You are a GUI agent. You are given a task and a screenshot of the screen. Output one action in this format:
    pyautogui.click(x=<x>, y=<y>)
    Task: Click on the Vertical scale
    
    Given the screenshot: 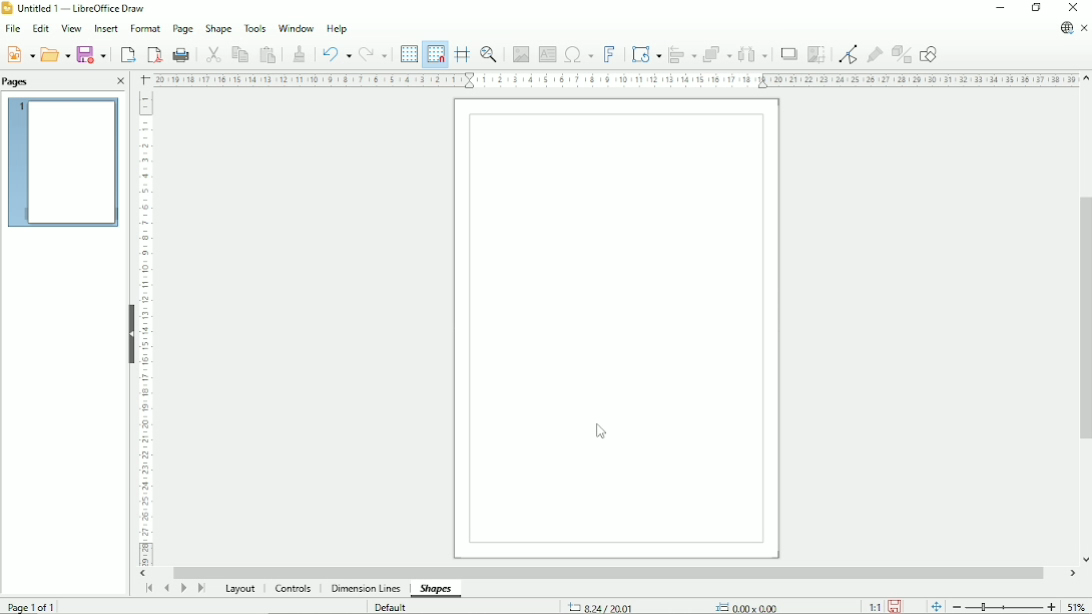 What is the action you would take?
    pyautogui.click(x=147, y=330)
    